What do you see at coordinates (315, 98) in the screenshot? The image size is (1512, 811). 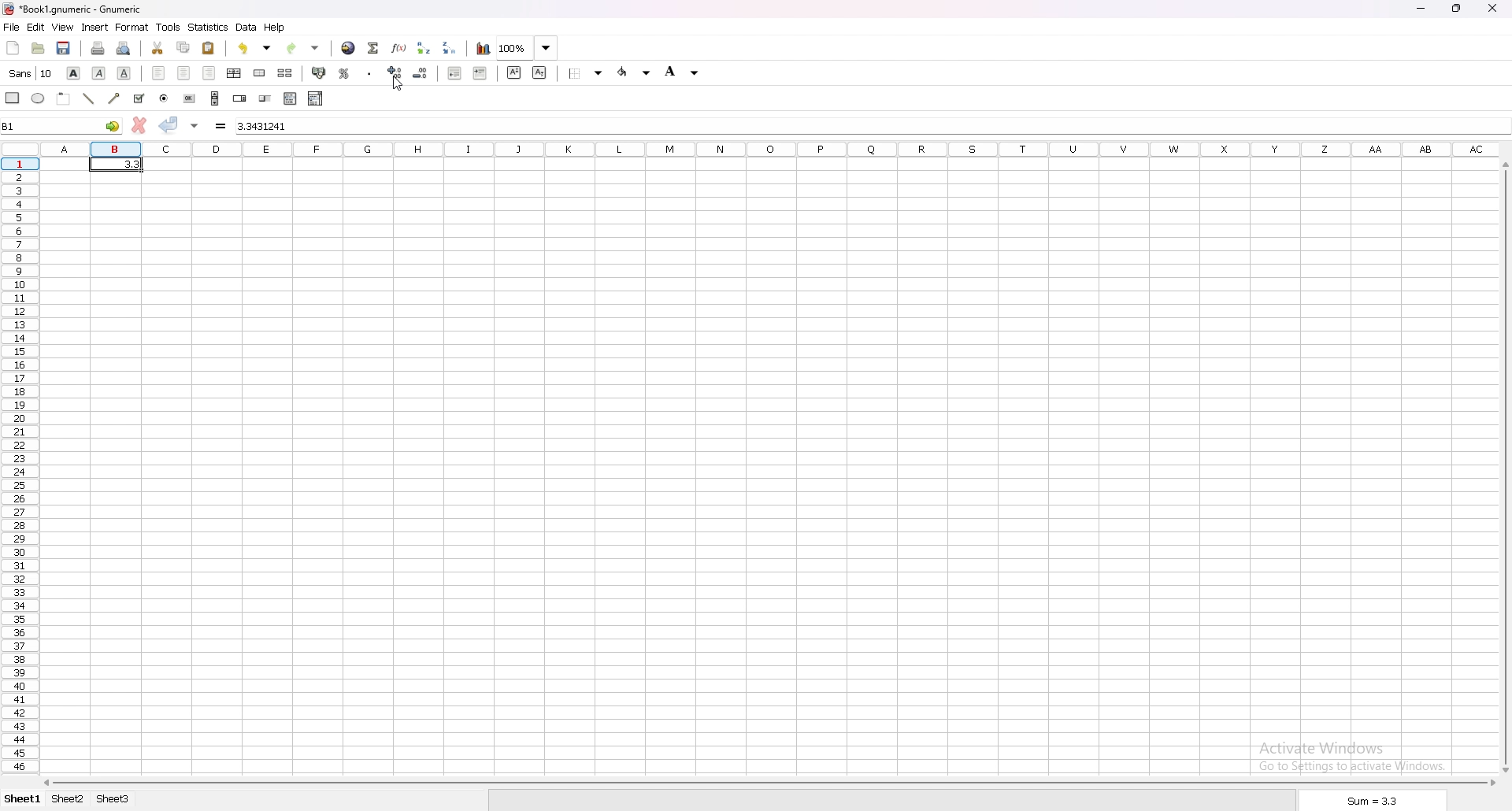 I see `list` at bounding box center [315, 98].